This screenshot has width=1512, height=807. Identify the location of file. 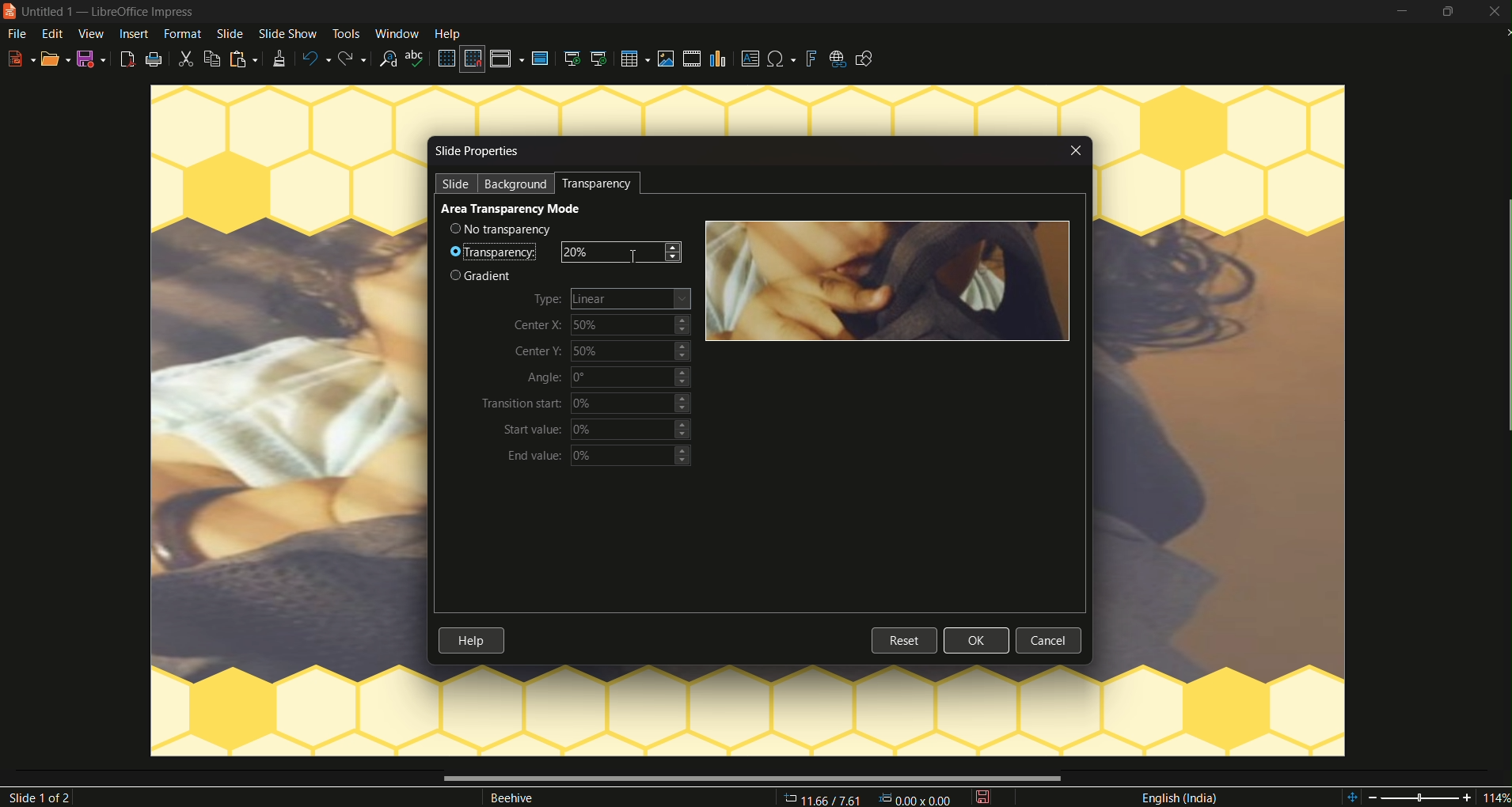
(16, 32).